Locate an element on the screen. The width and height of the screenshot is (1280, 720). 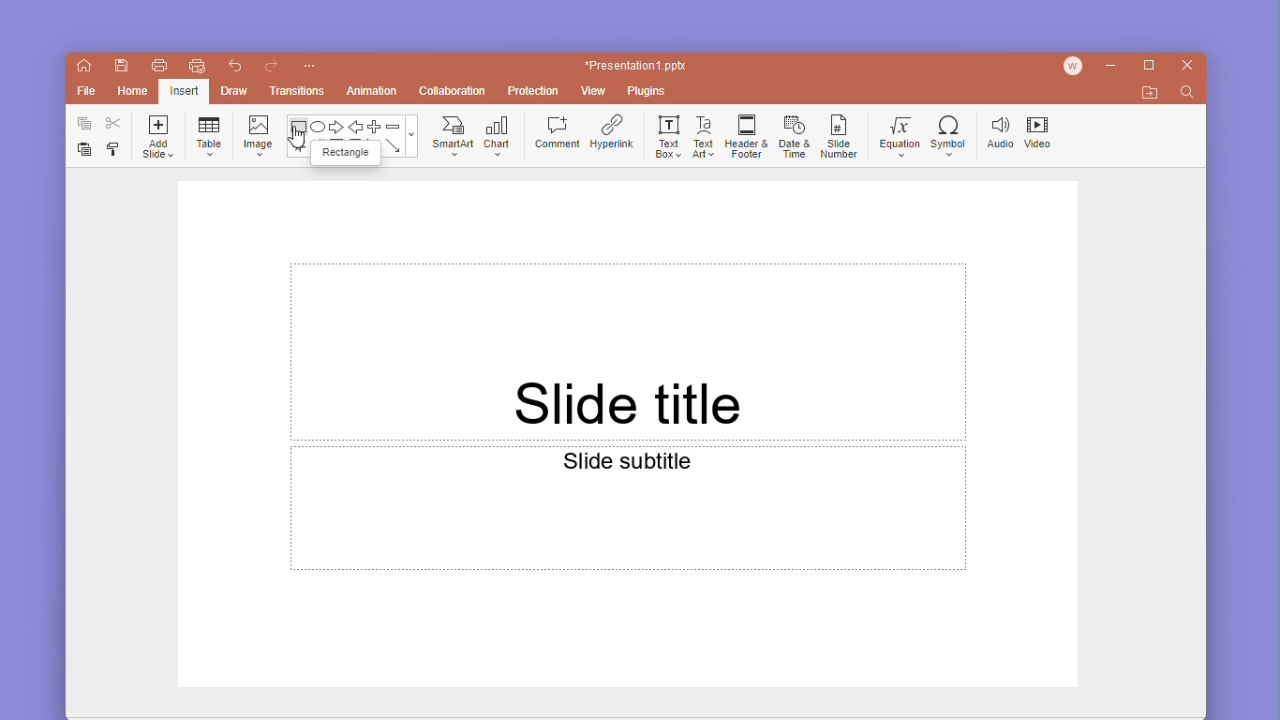
image is located at coordinates (258, 135).